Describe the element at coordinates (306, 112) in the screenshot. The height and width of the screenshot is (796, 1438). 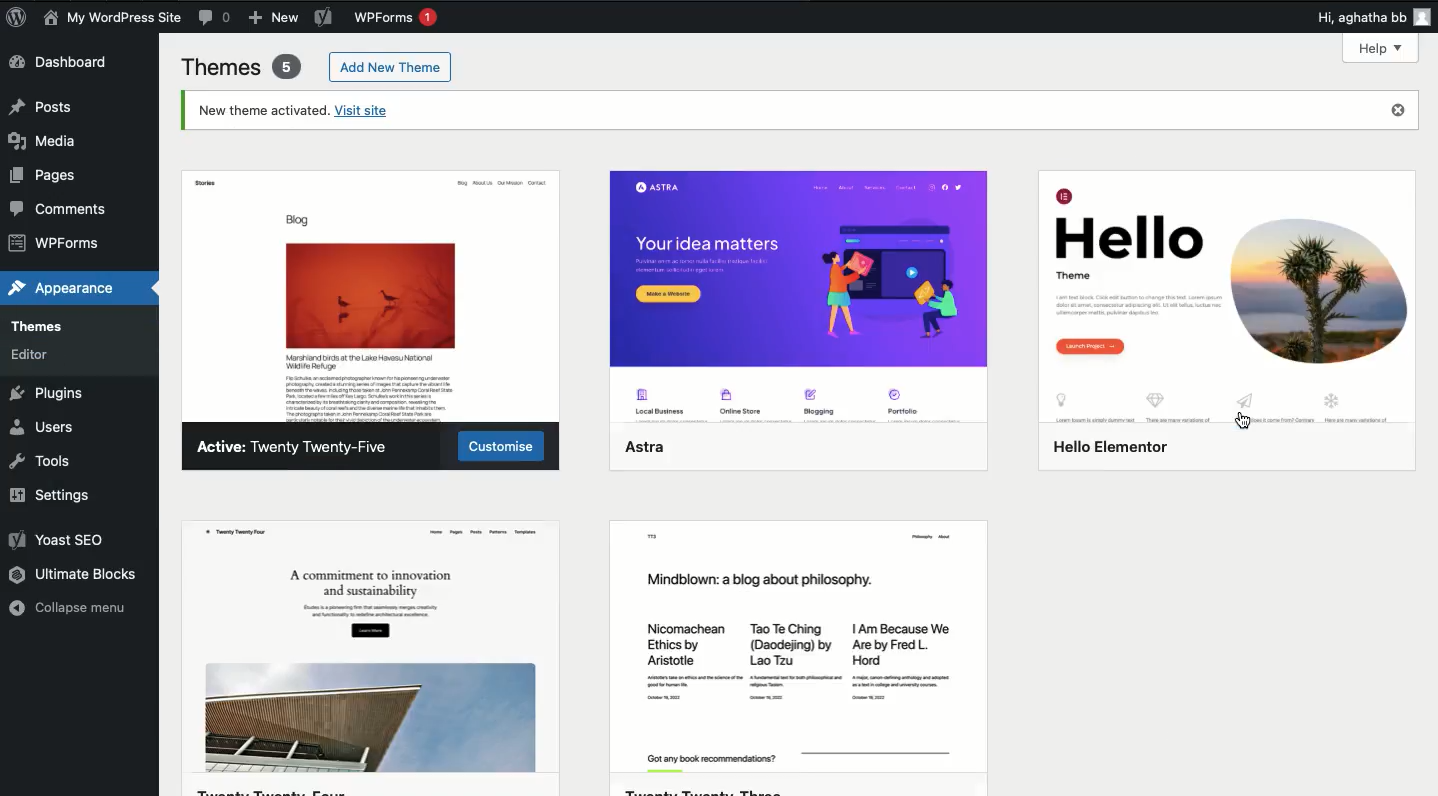
I see `New theme activated` at that location.